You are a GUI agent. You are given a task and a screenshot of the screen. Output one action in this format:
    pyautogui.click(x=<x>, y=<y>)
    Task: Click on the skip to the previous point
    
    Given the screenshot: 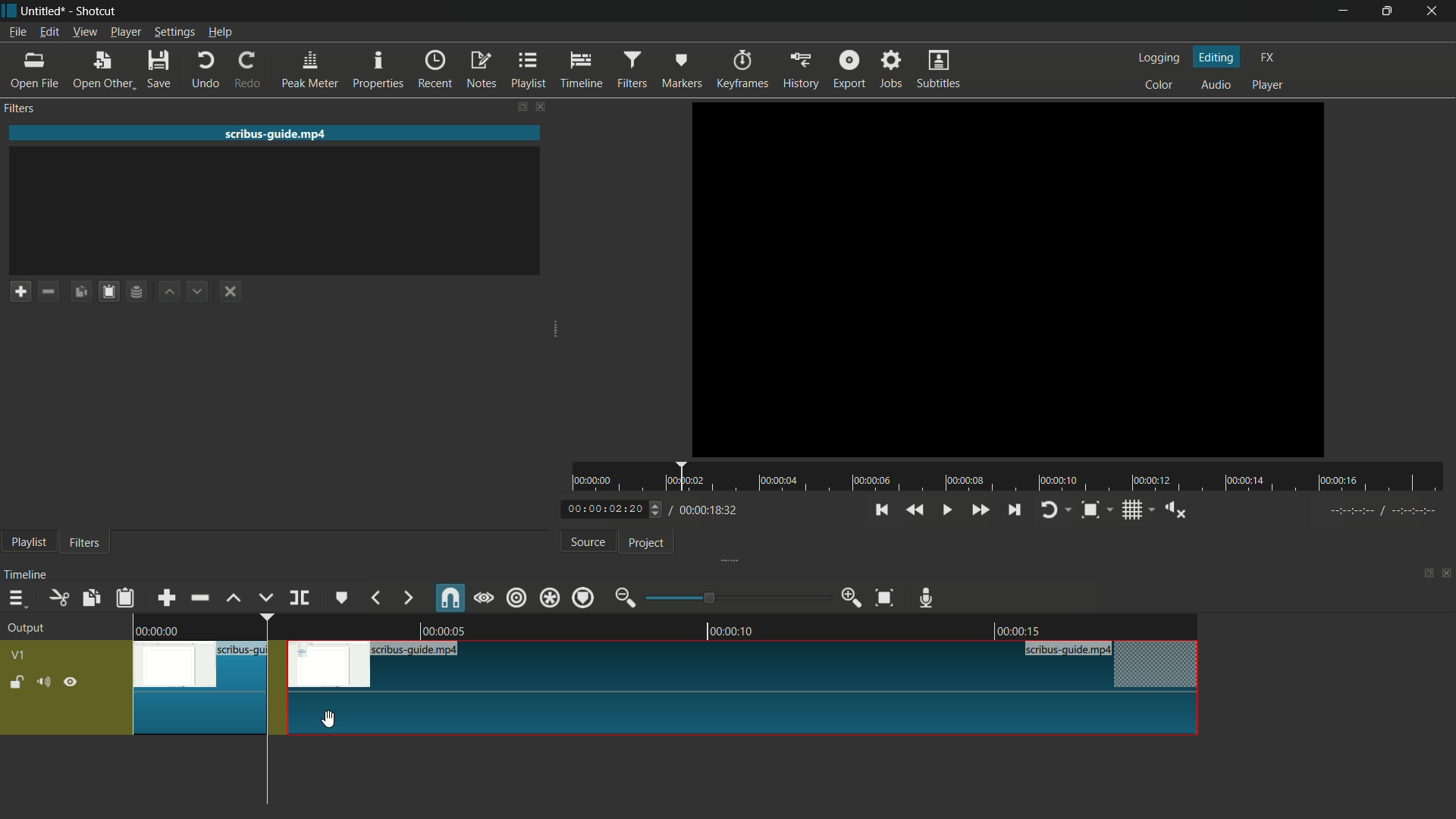 What is the action you would take?
    pyautogui.click(x=881, y=510)
    